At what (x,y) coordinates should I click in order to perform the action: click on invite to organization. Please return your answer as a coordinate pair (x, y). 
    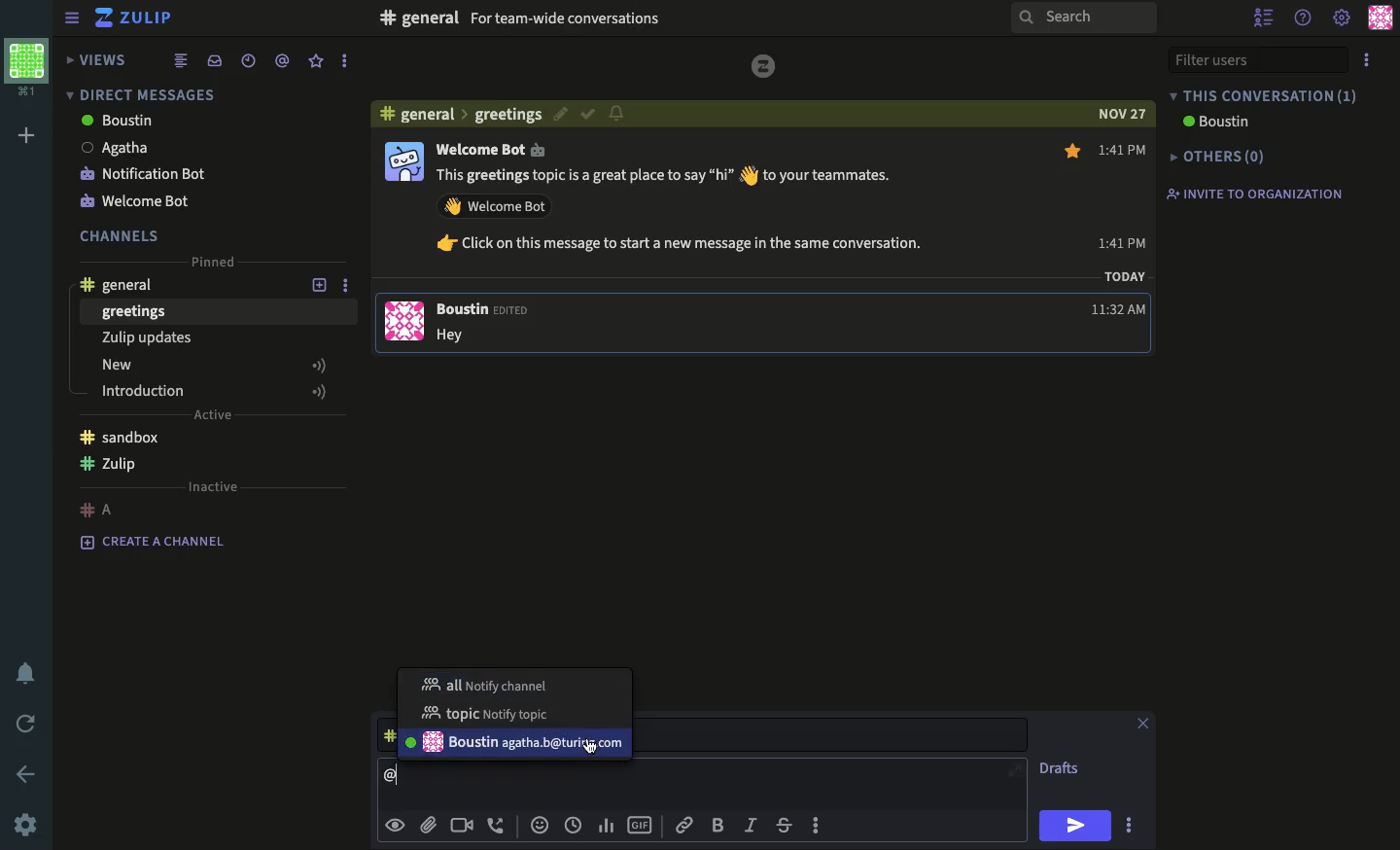
    Looking at the image, I should click on (1251, 192).